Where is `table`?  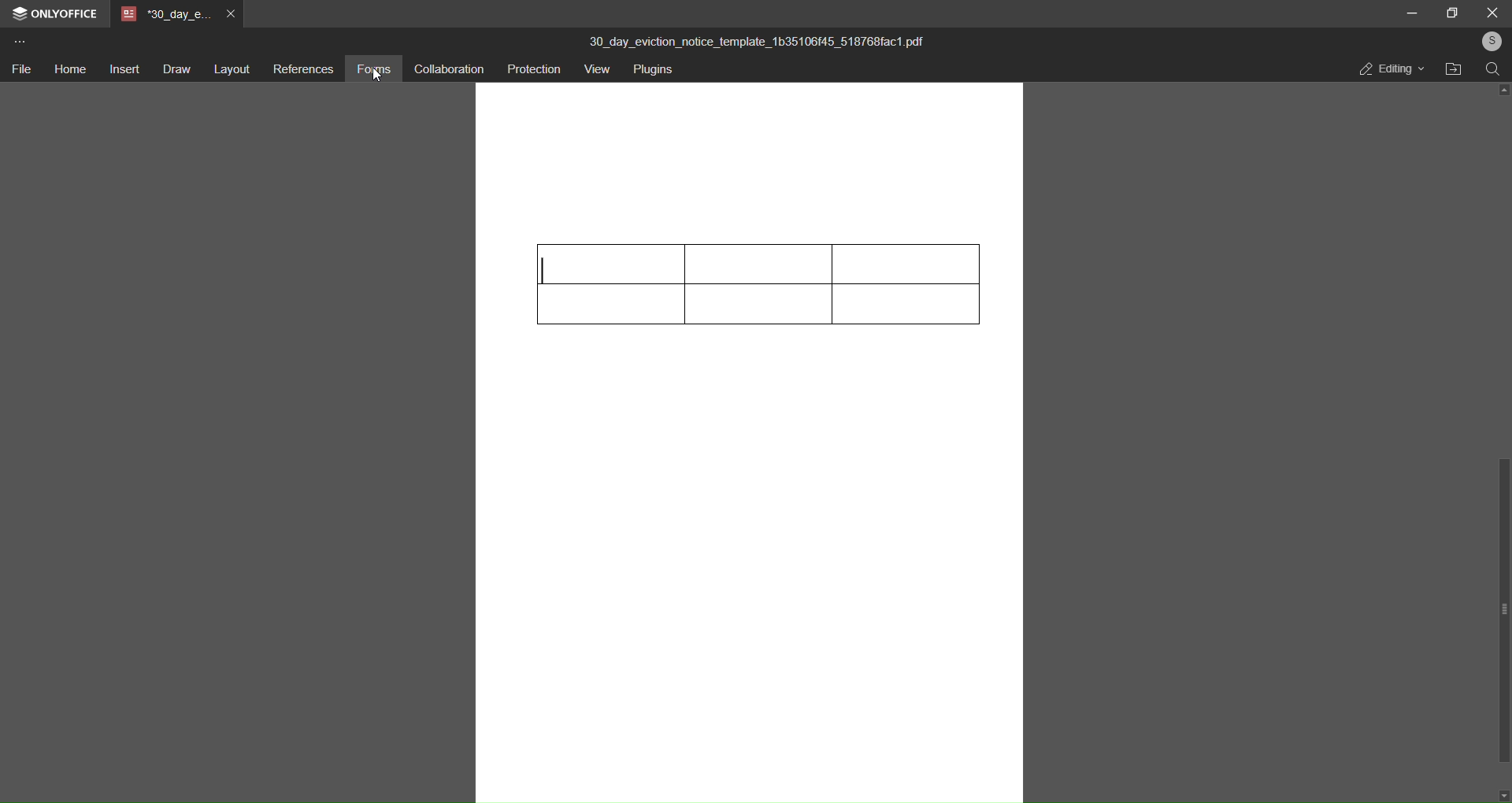
table is located at coordinates (755, 290).